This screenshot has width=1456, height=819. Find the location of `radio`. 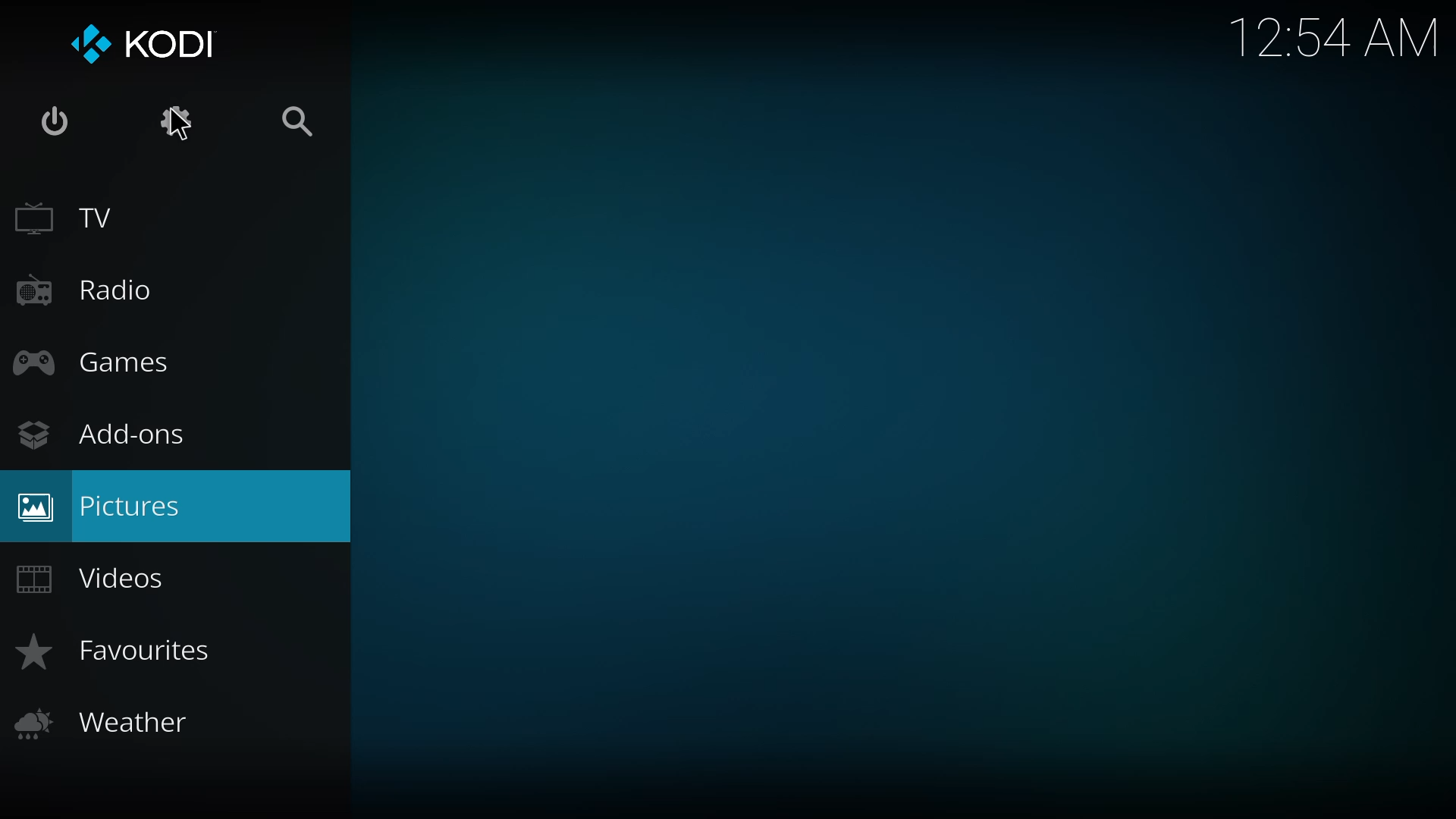

radio is located at coordinates (83, 292).